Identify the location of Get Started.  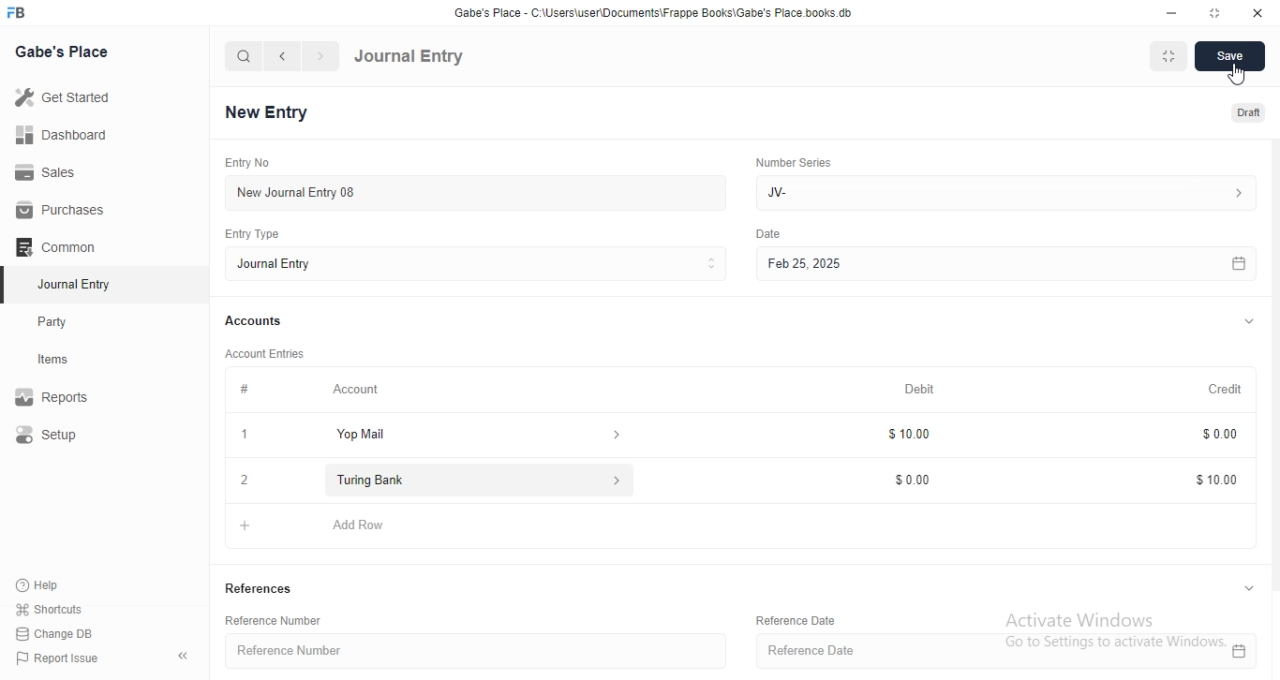
(68, 101).